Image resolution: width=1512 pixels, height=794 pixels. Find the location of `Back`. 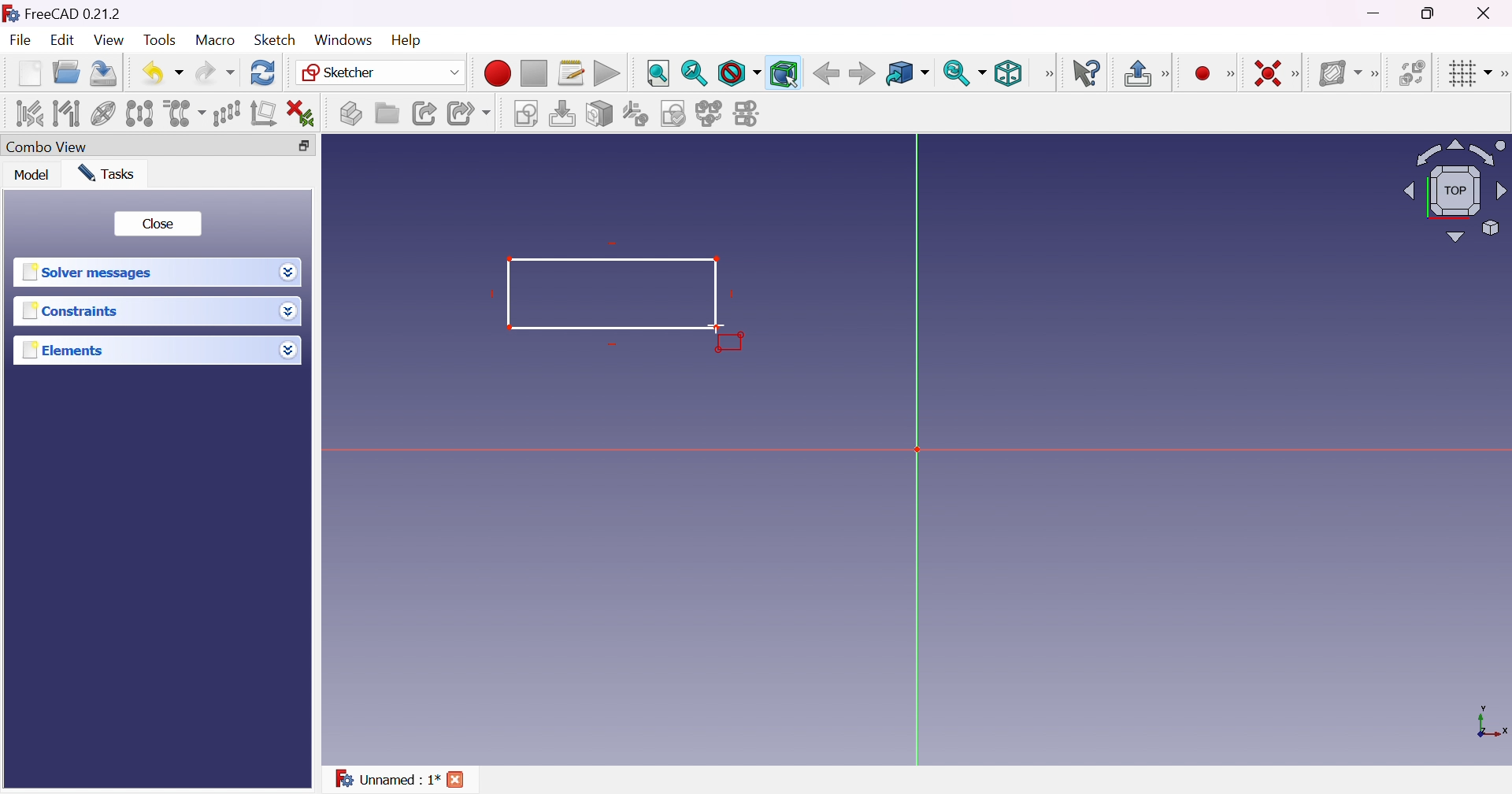

Back is located at coordinates (826, 74).